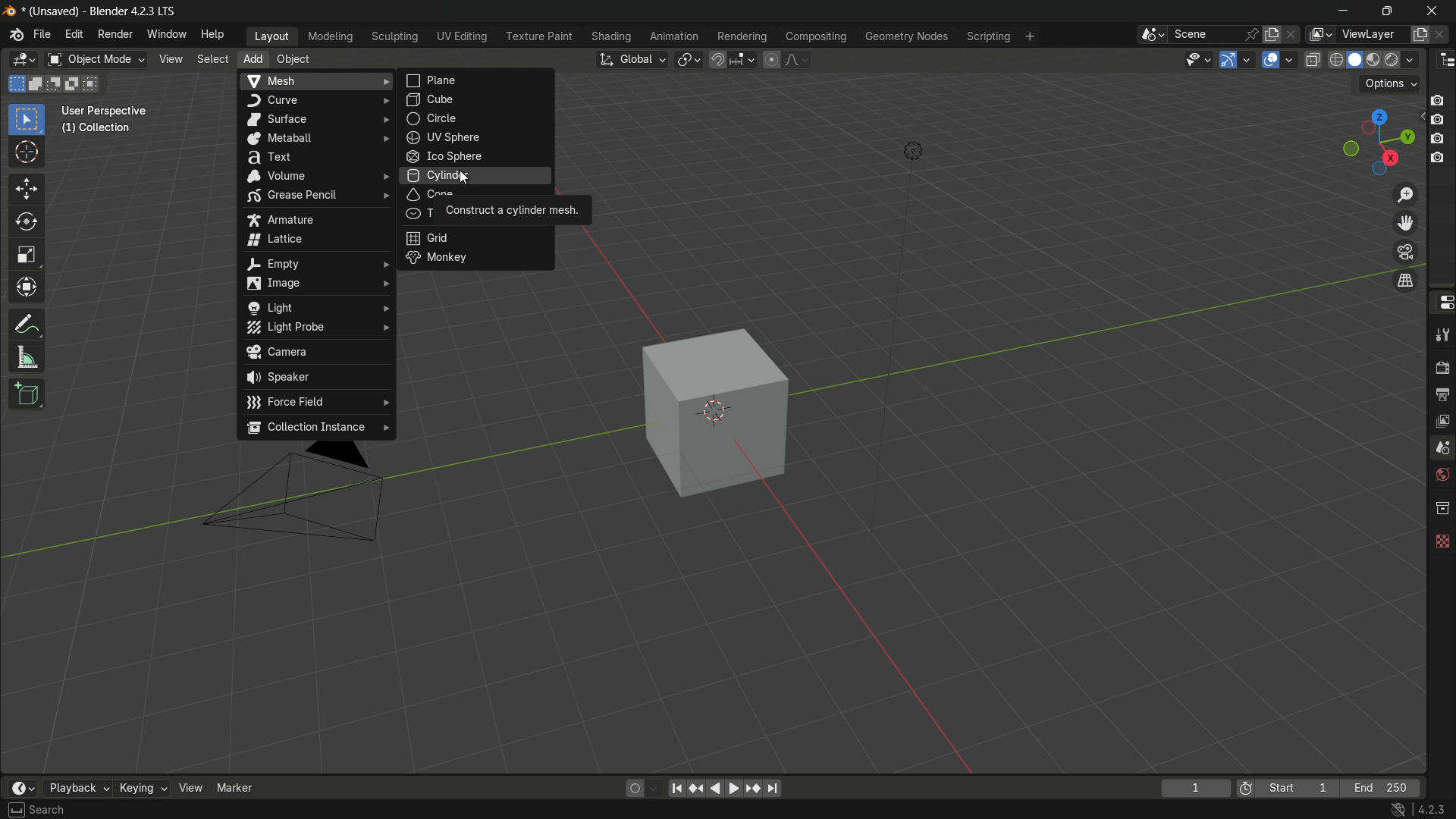 Image resolution: width=1456 pixels, height=819 pixels. What do you see at coordinates (316, 240) in the screenshot?
I see `lattice` at bounding box center [316, 240].